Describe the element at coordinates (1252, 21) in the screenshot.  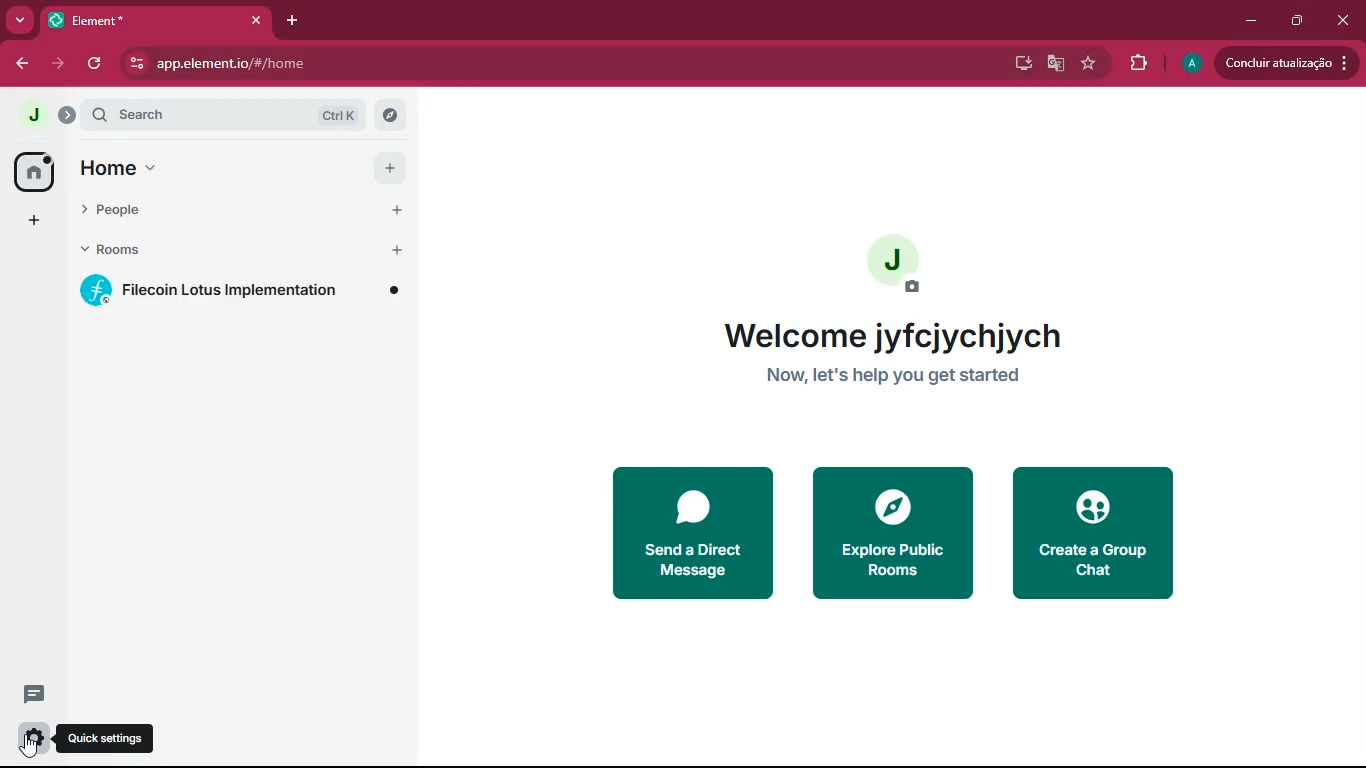
I see `minimize` at that location.